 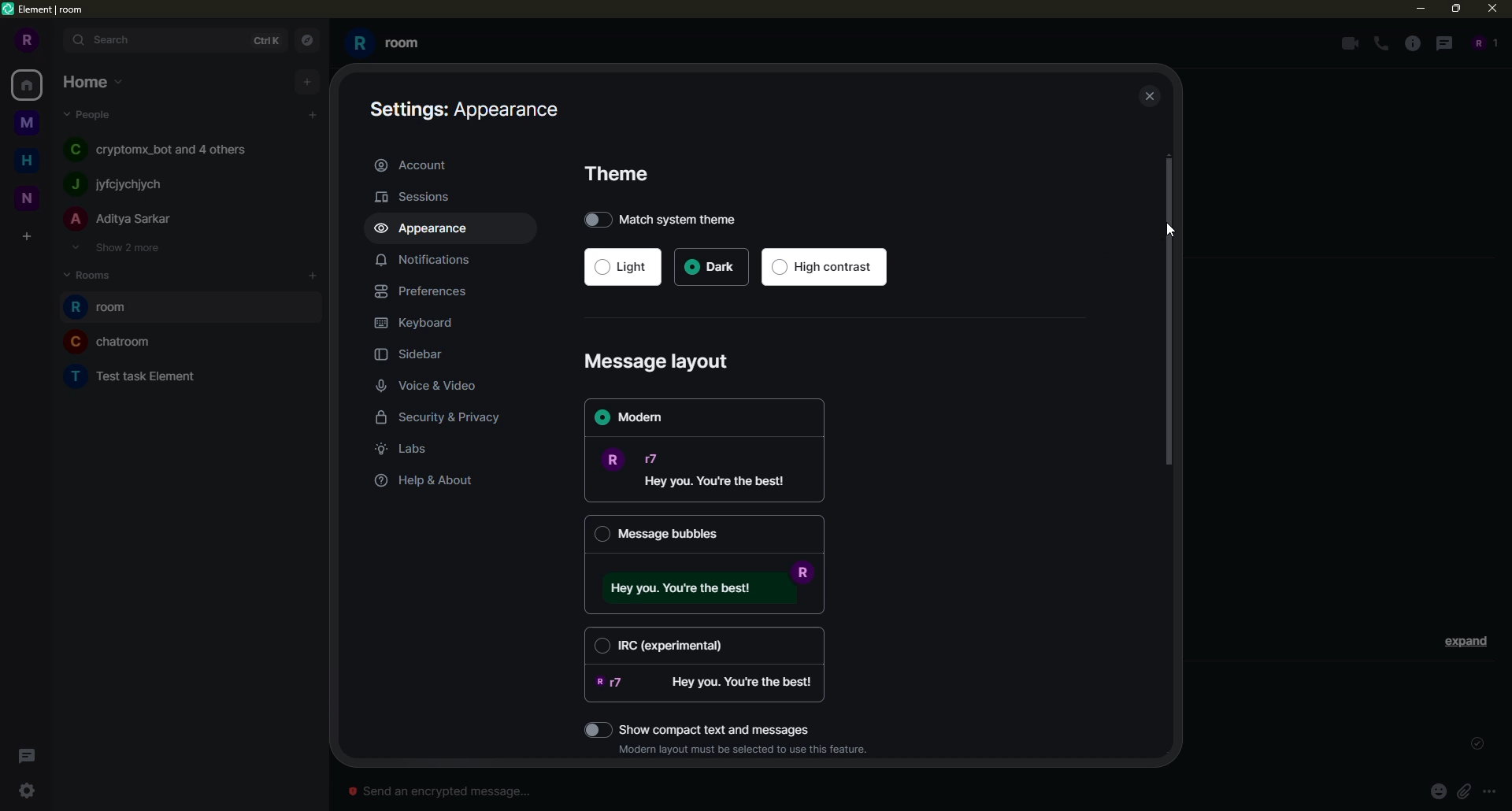 What do you see at coordinates (91, 113) in the screenshot?
I see `people` at bounding box center [91, 113].